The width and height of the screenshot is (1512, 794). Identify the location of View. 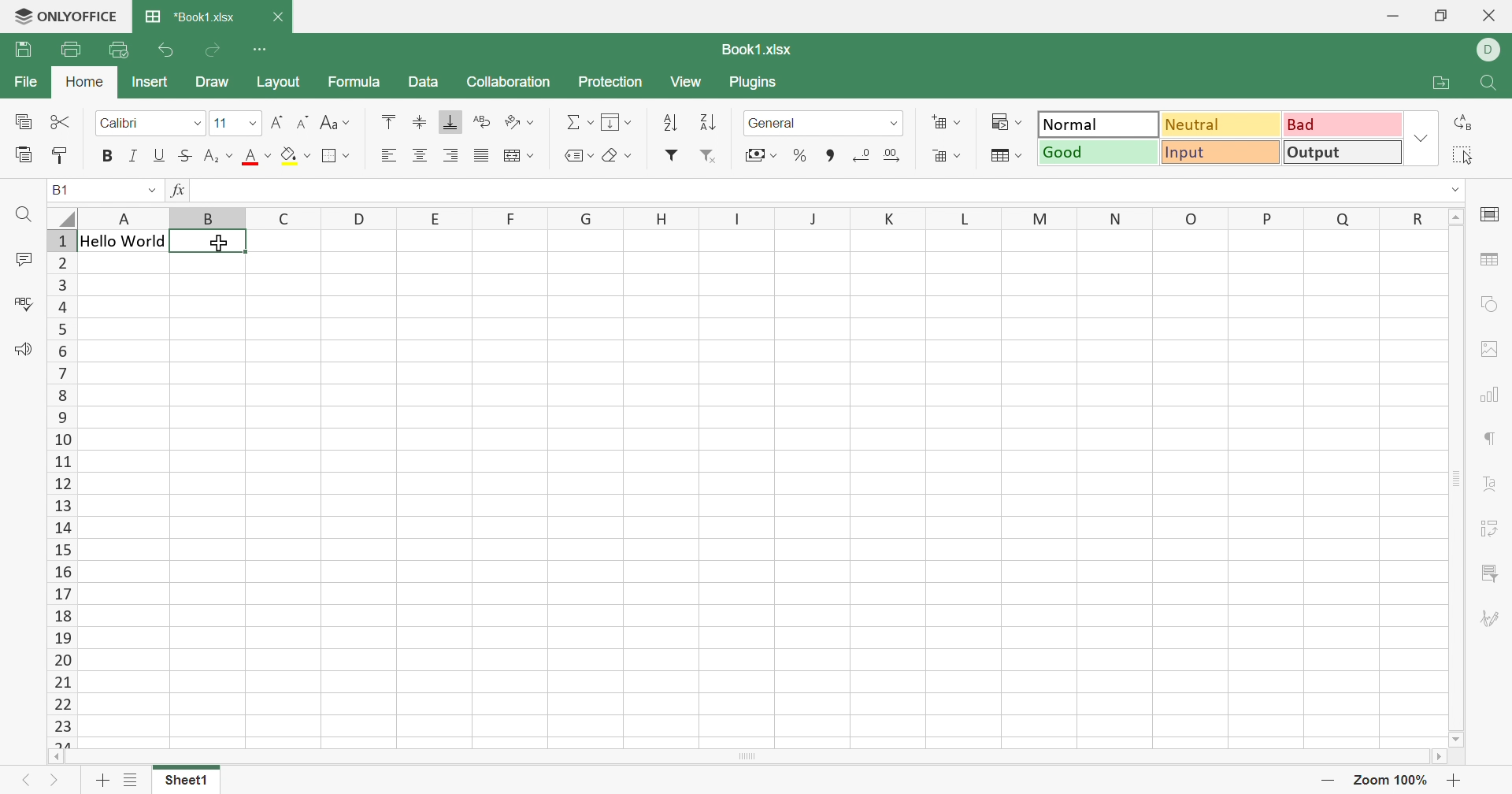
(689, 82).